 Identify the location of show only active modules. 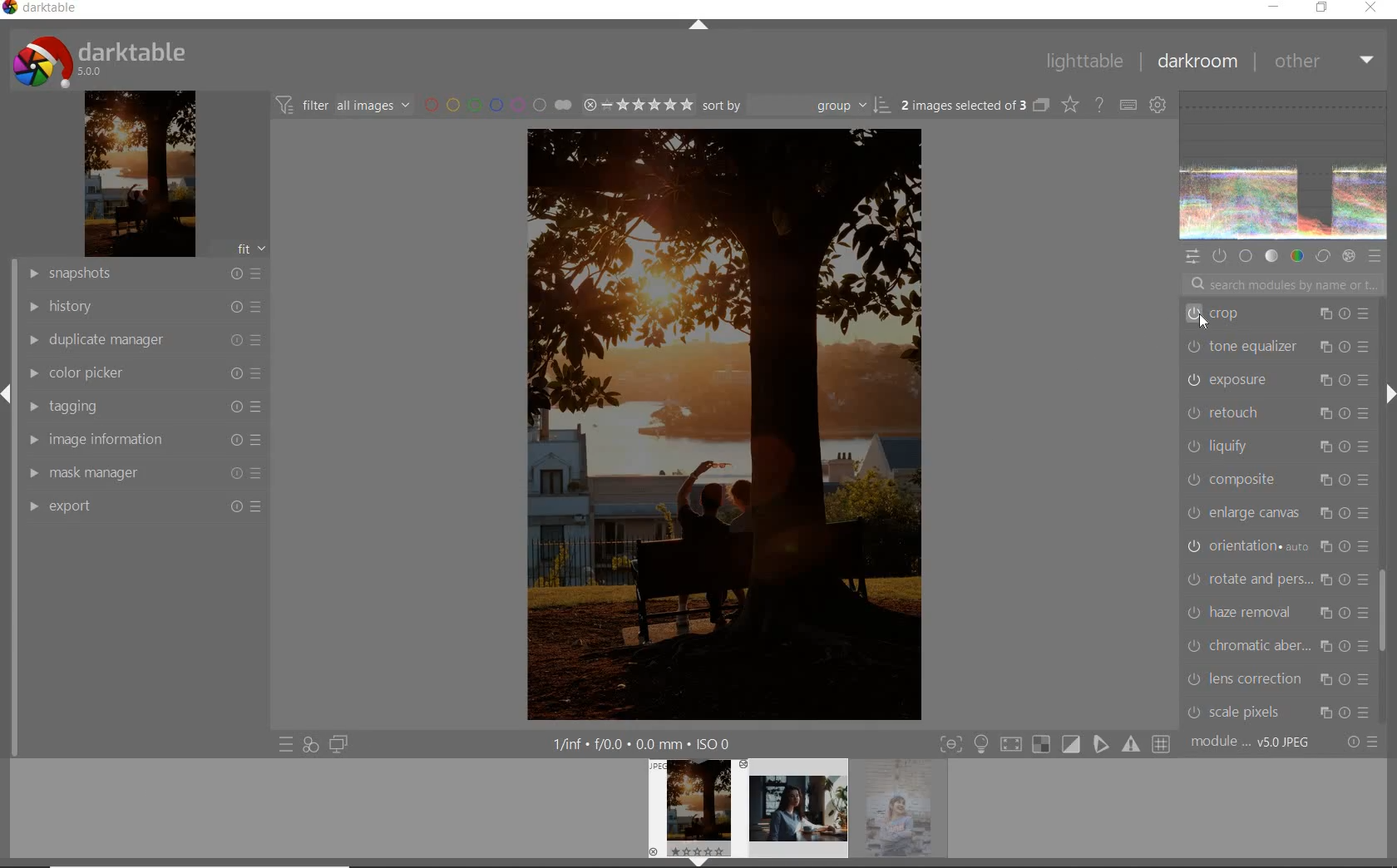
(1221, 255).